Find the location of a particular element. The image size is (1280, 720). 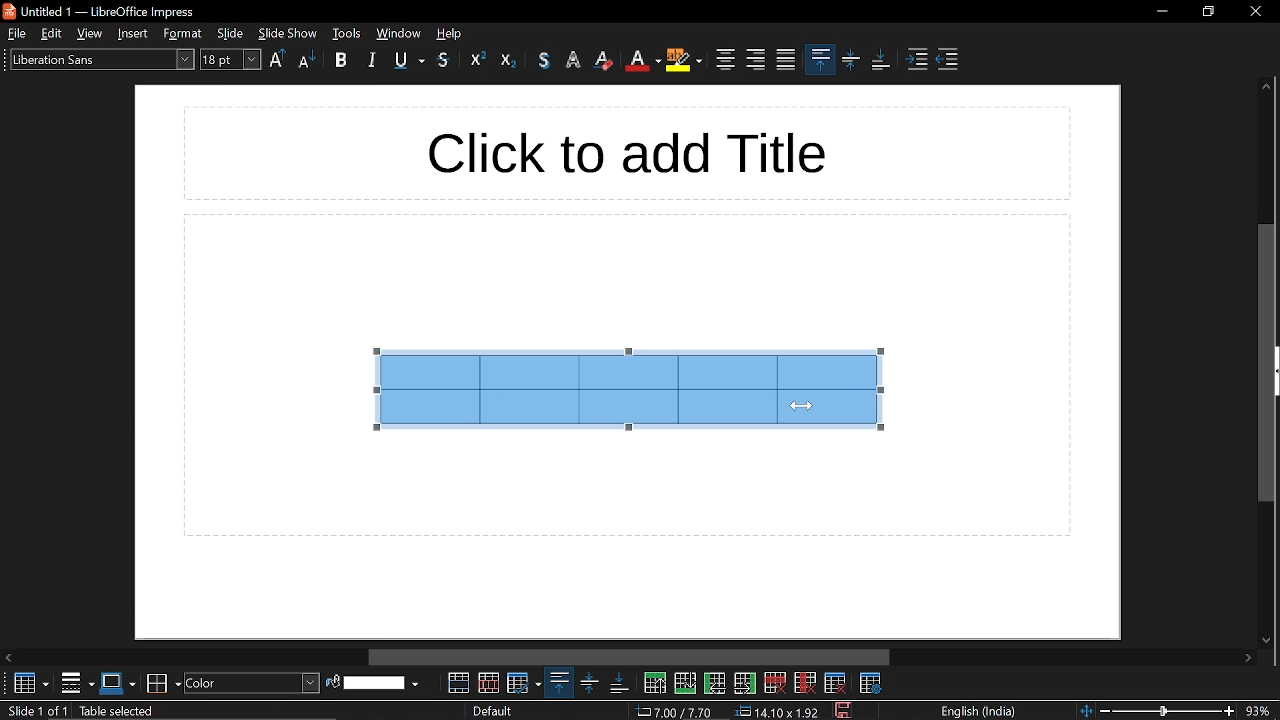

align right is located at coordinates (754, 59).